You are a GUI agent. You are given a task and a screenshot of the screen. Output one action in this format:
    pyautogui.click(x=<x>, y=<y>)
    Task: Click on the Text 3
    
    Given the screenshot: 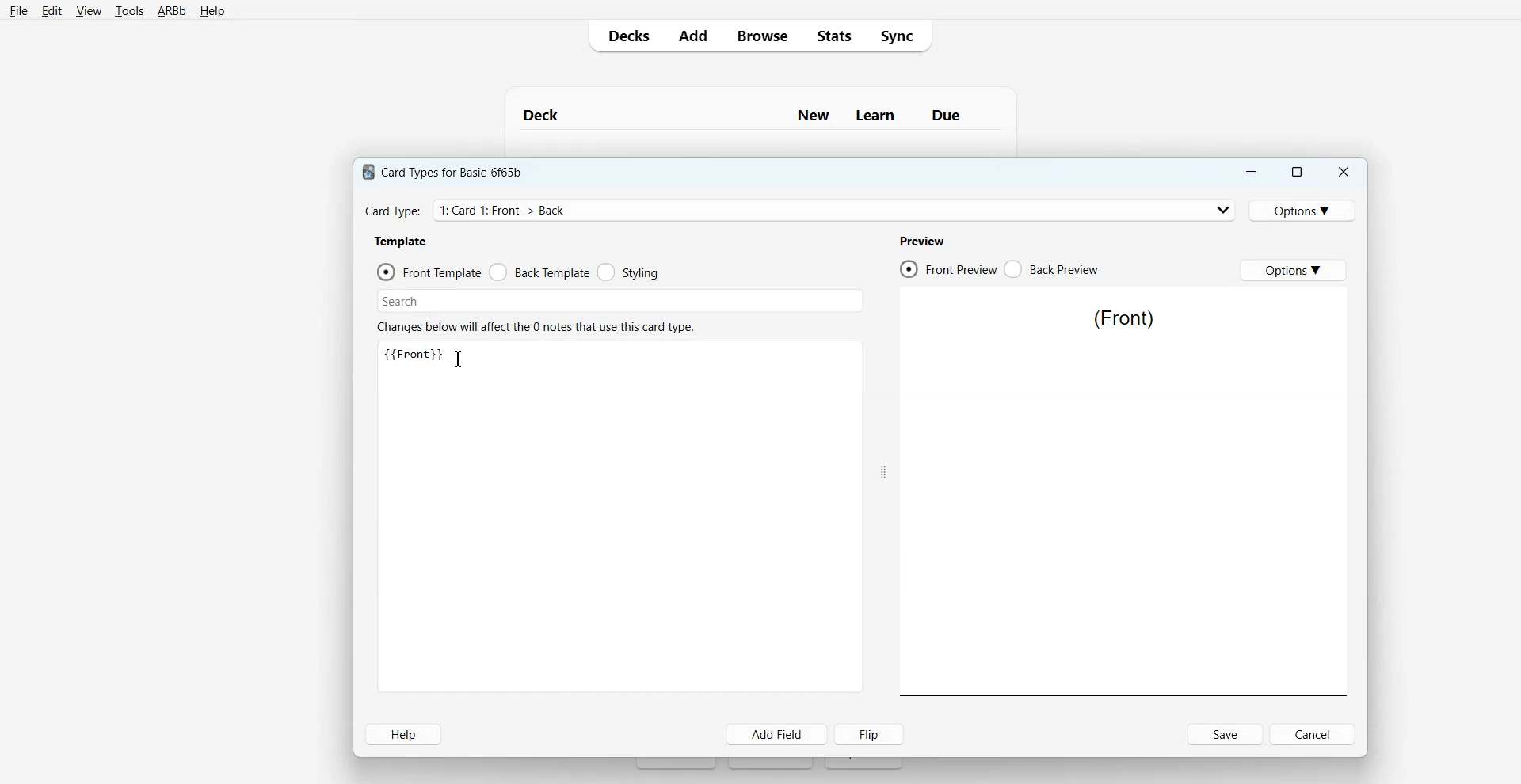 What is the action you would take?
    pyautogui.click(x=414, y=354)
    